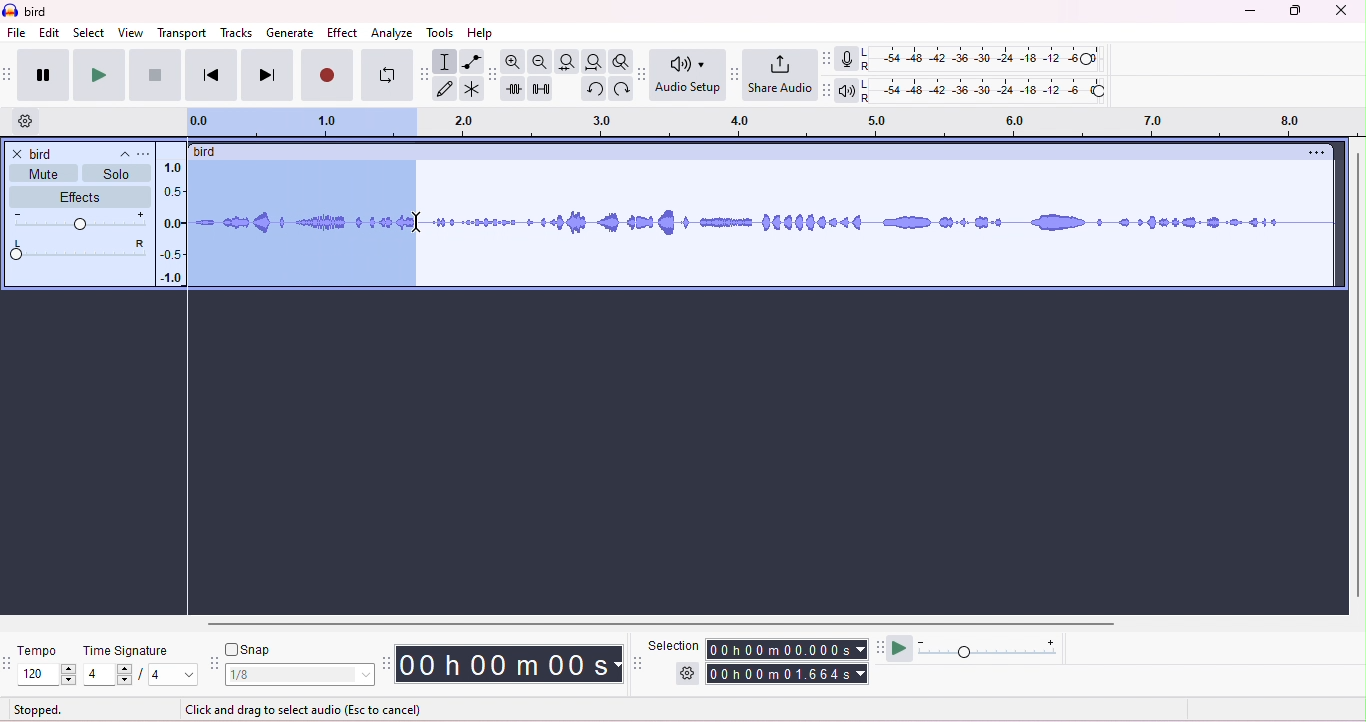  I want to click on dragging the waveform, so click(301, 222).